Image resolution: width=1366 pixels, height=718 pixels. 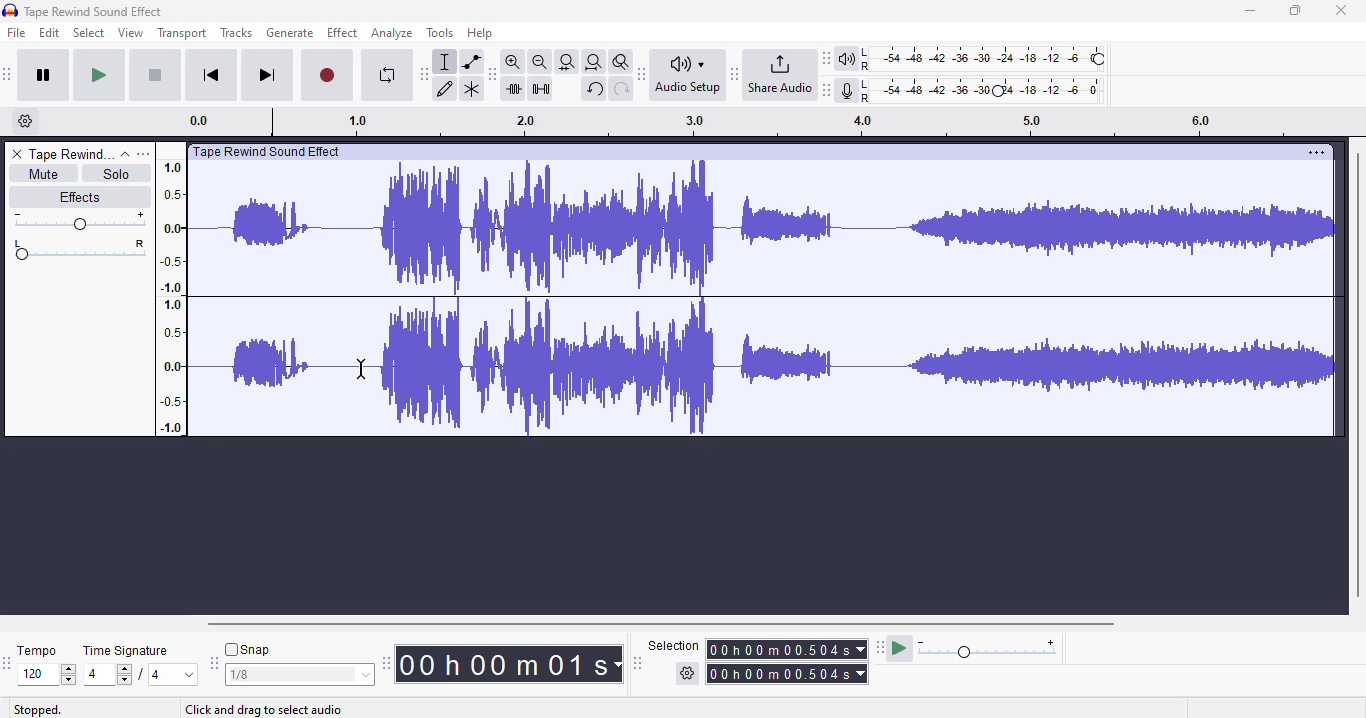 I want to click on time signature, so click(x=126, y=651).